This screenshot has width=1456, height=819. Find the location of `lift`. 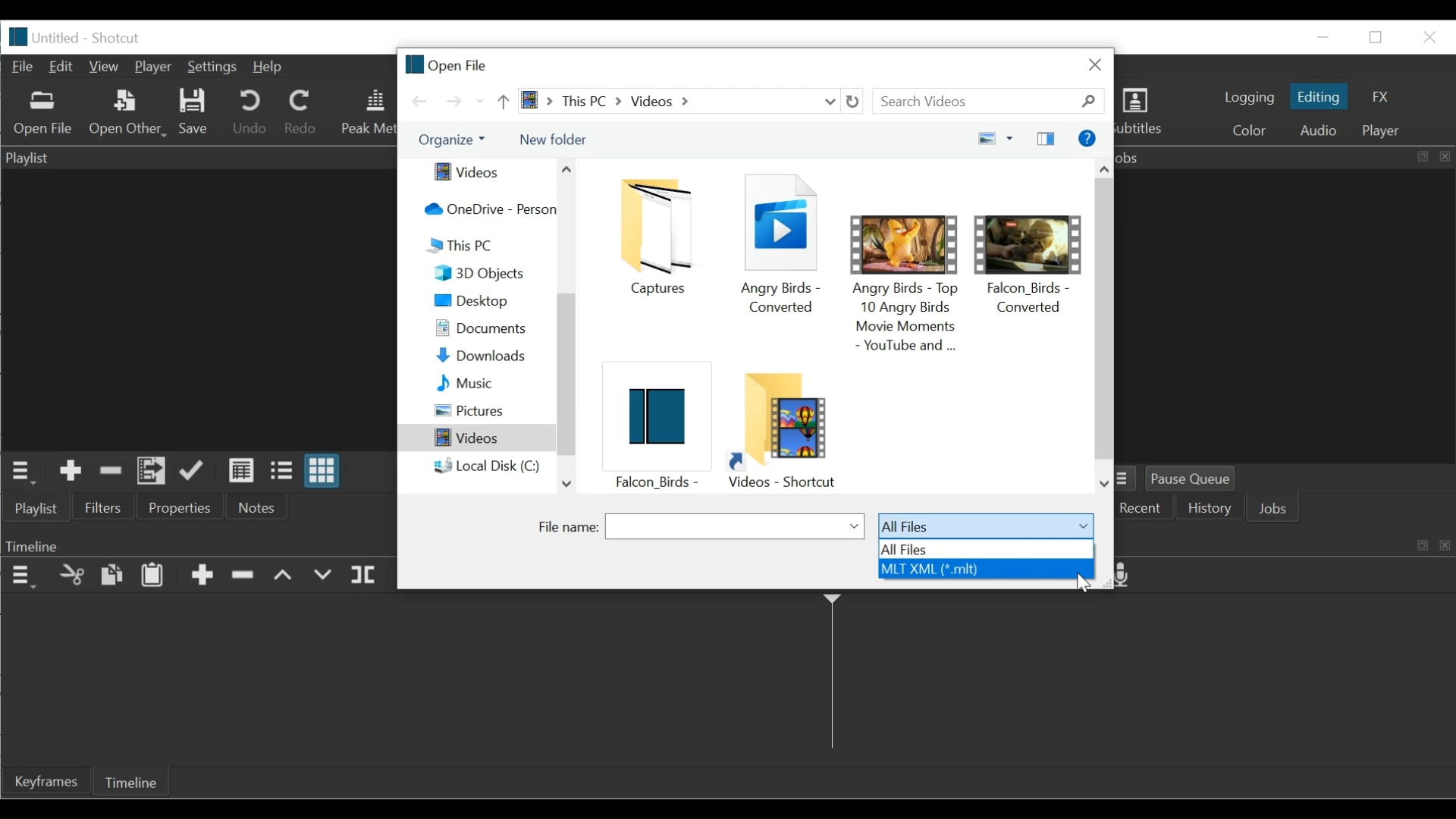

lift is located at coordinates (284, 576).